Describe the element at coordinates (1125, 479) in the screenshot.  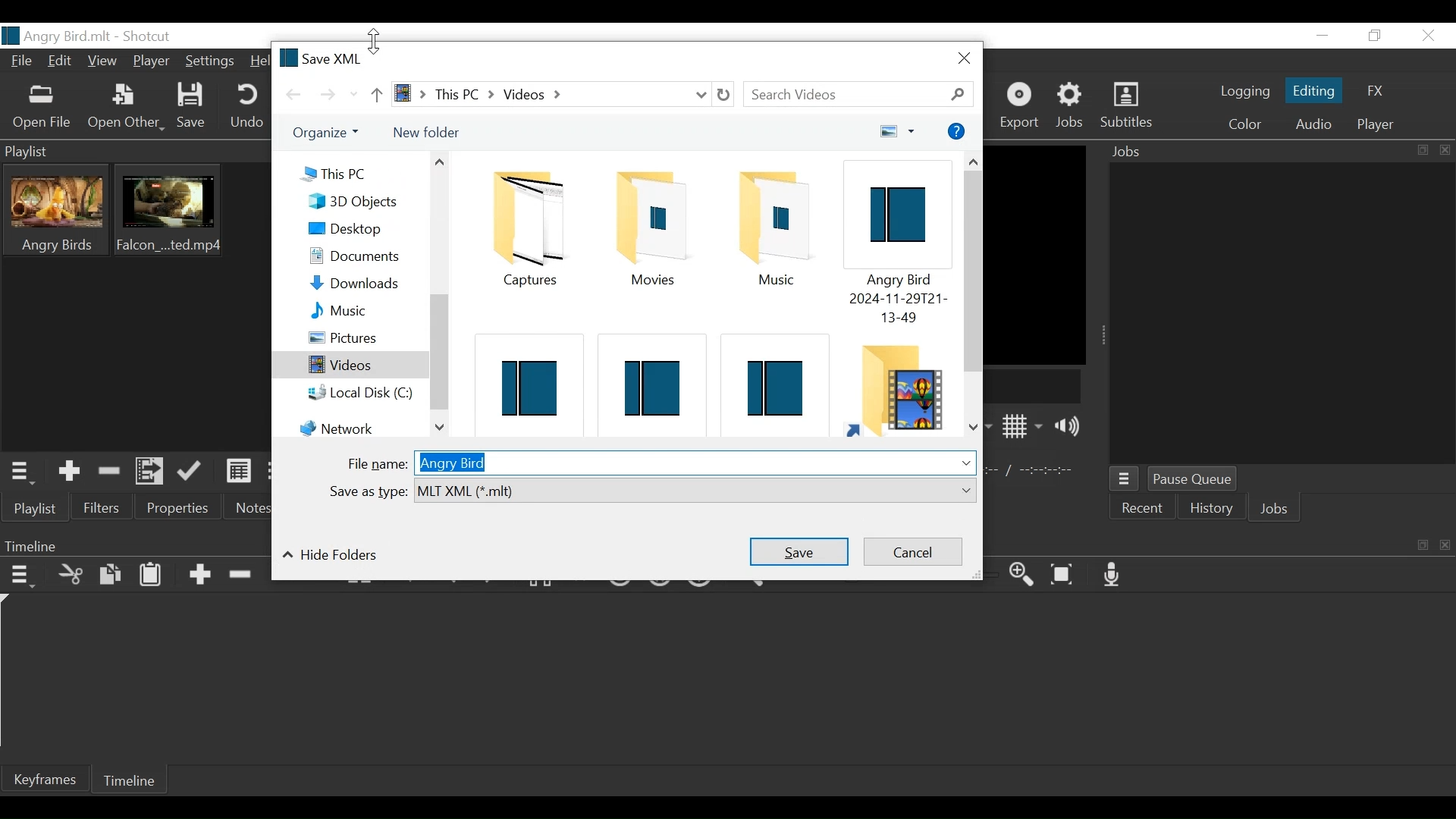
I see `Jobs menu` at that location.